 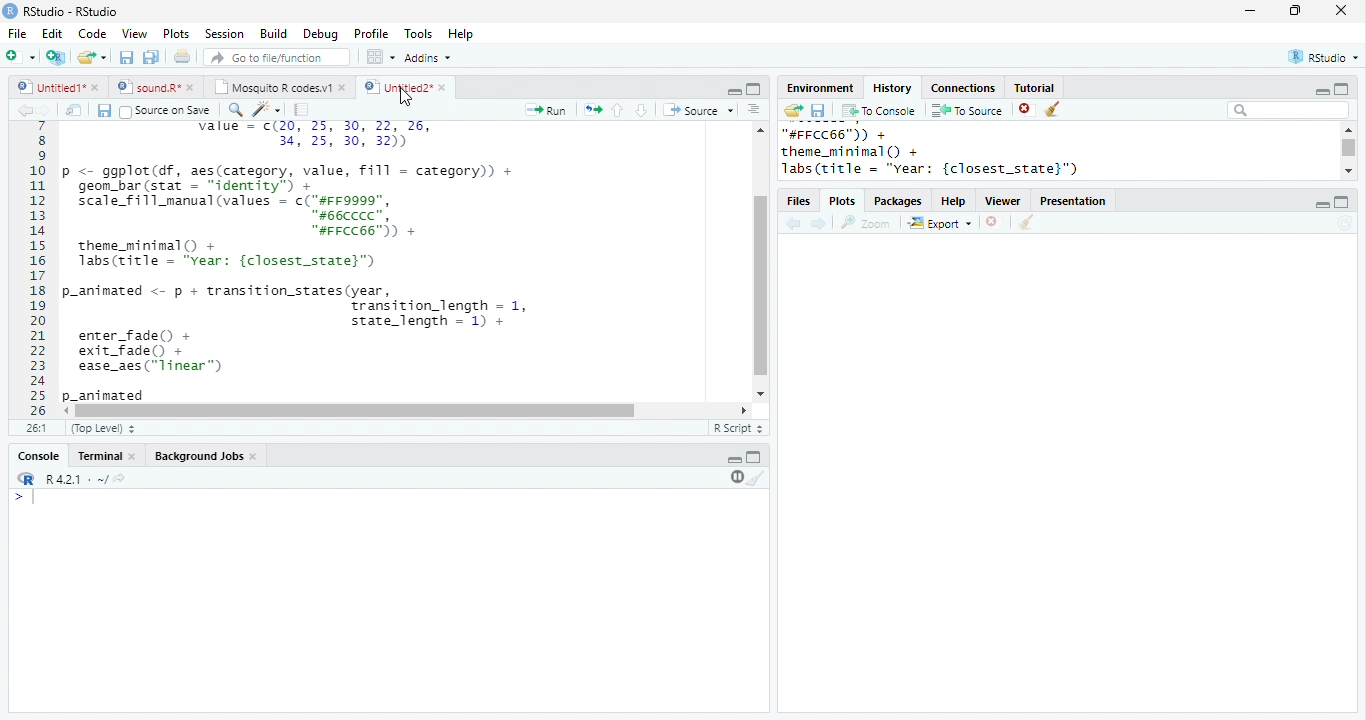 I want to click on scroll bar, so click(x=1349, y=147).